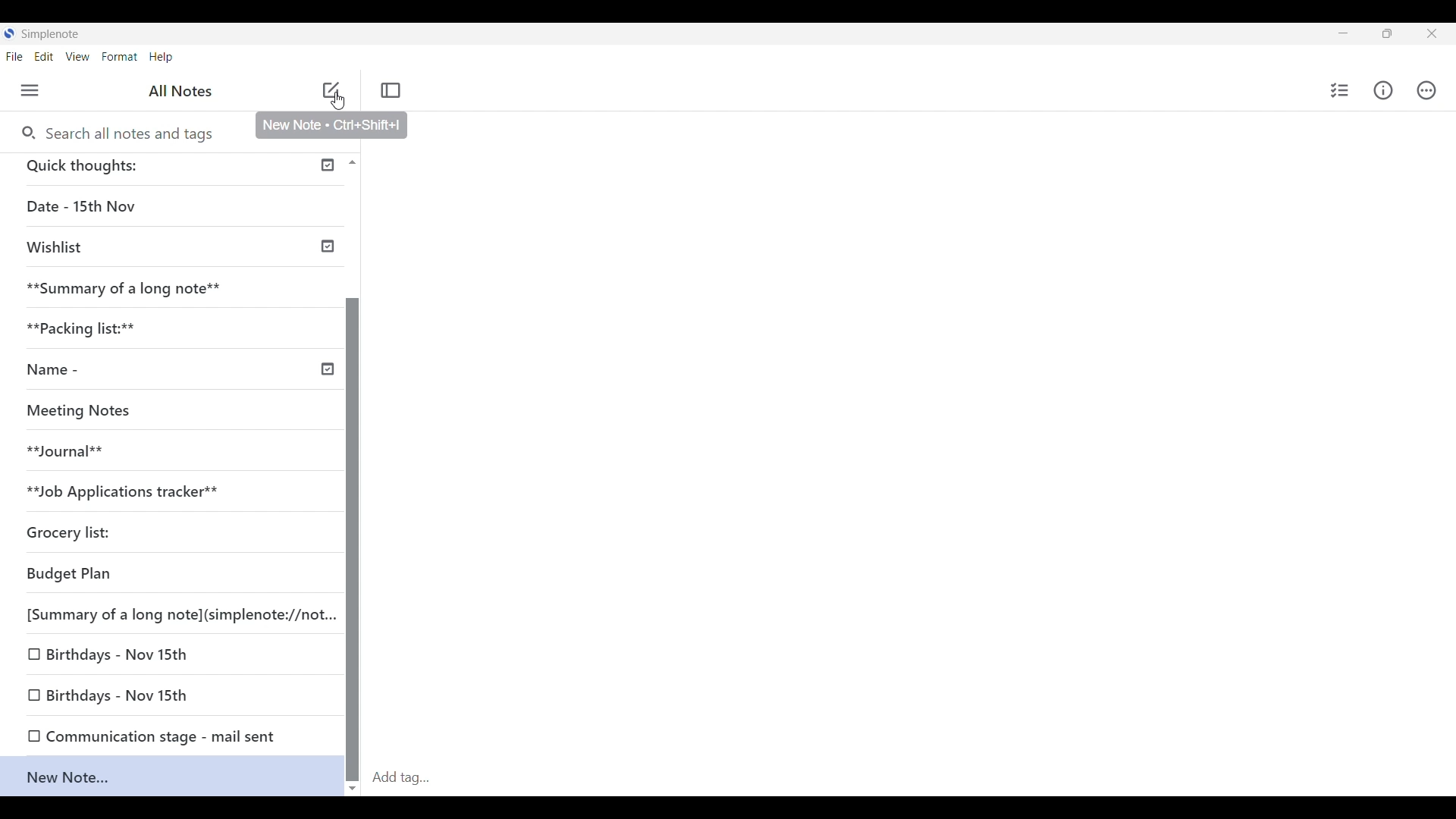  Describe the element at coordinates (410, 777) in the screenshot. I see `Add tag...` at that location.